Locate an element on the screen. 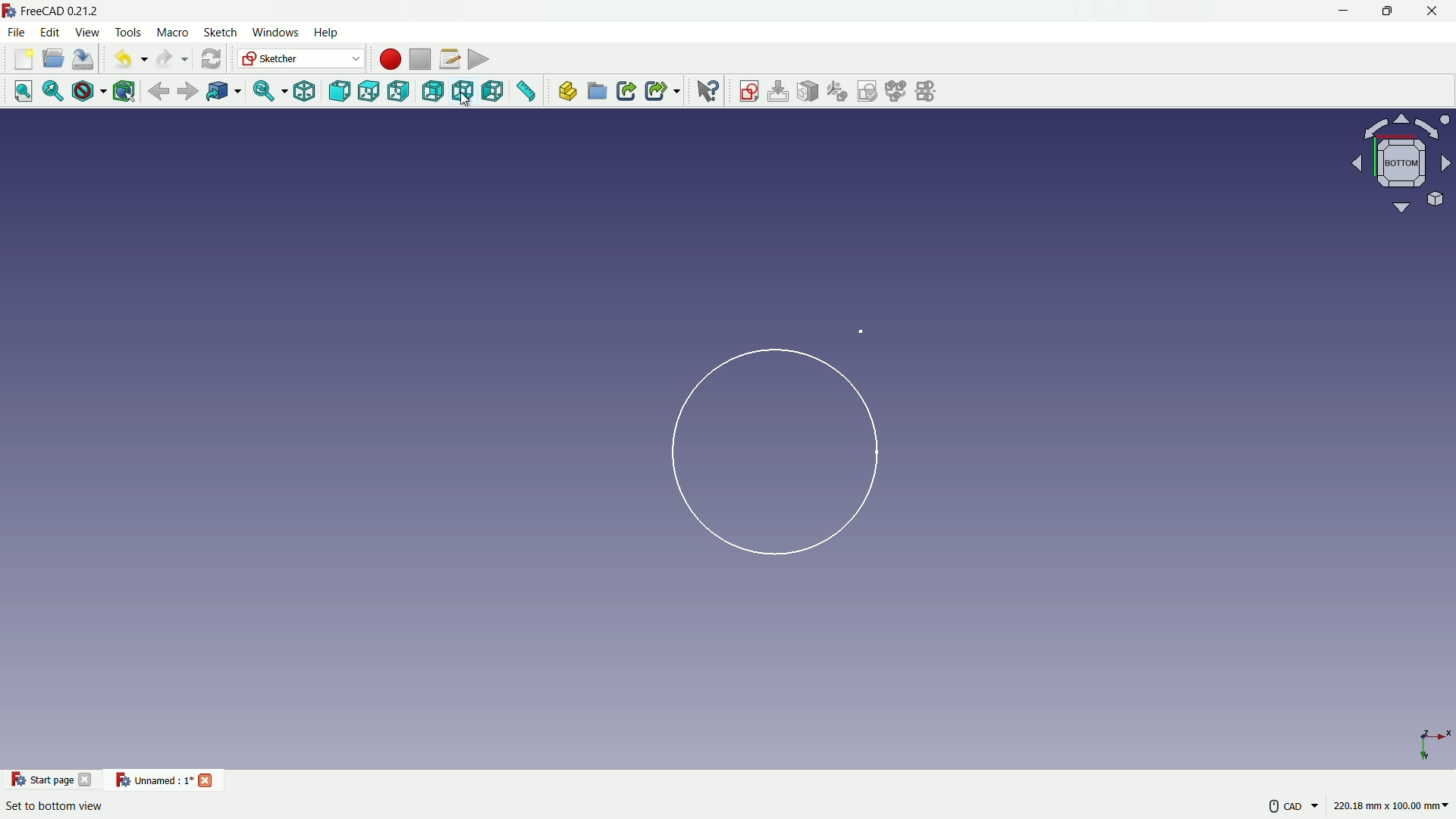 The height and width of the screenshot is (819, 1456). draw style is located at coordinates (88, 92).